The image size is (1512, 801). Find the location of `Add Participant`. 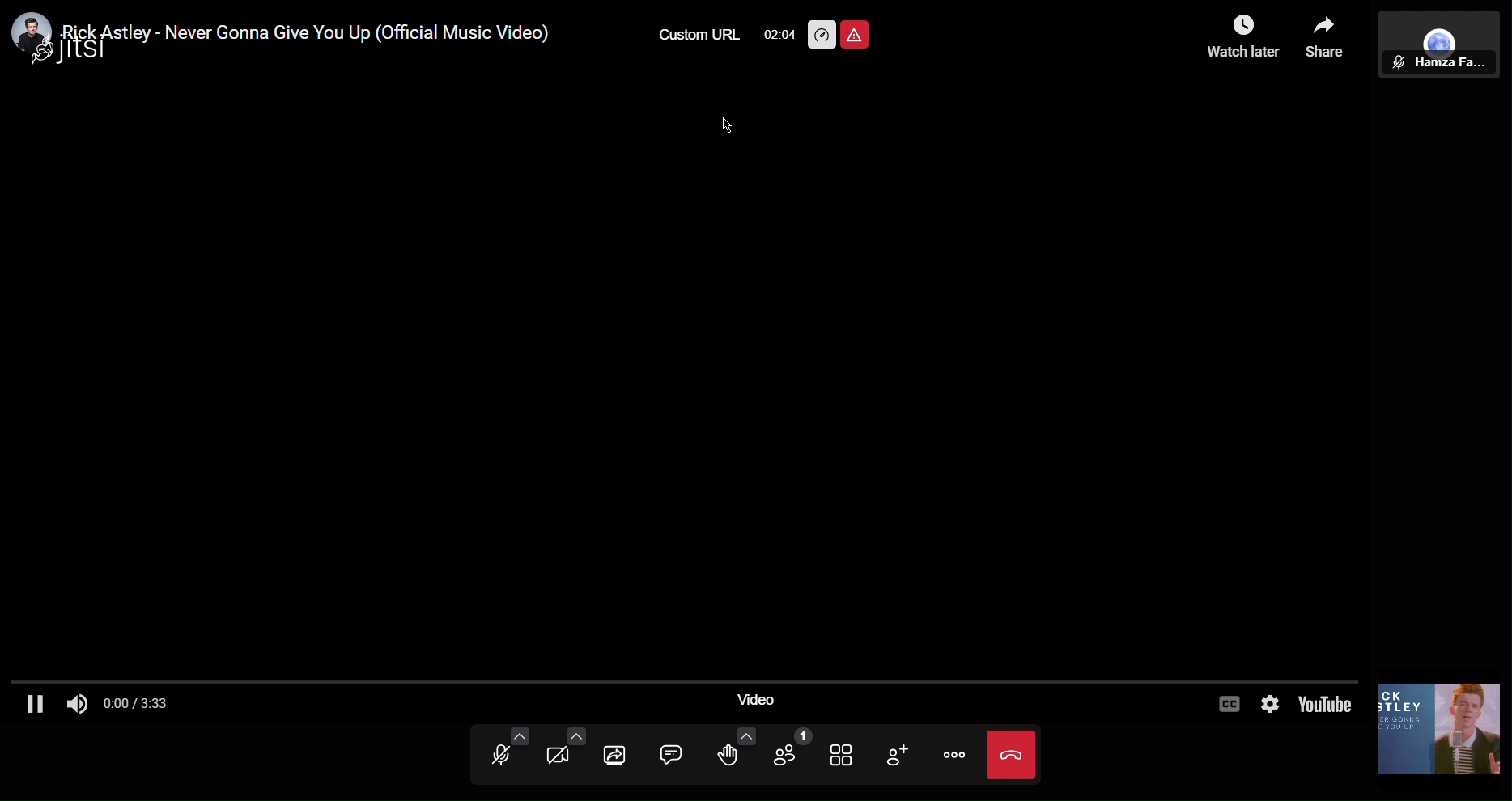

Add Participant is located at coordinates (899, 755).